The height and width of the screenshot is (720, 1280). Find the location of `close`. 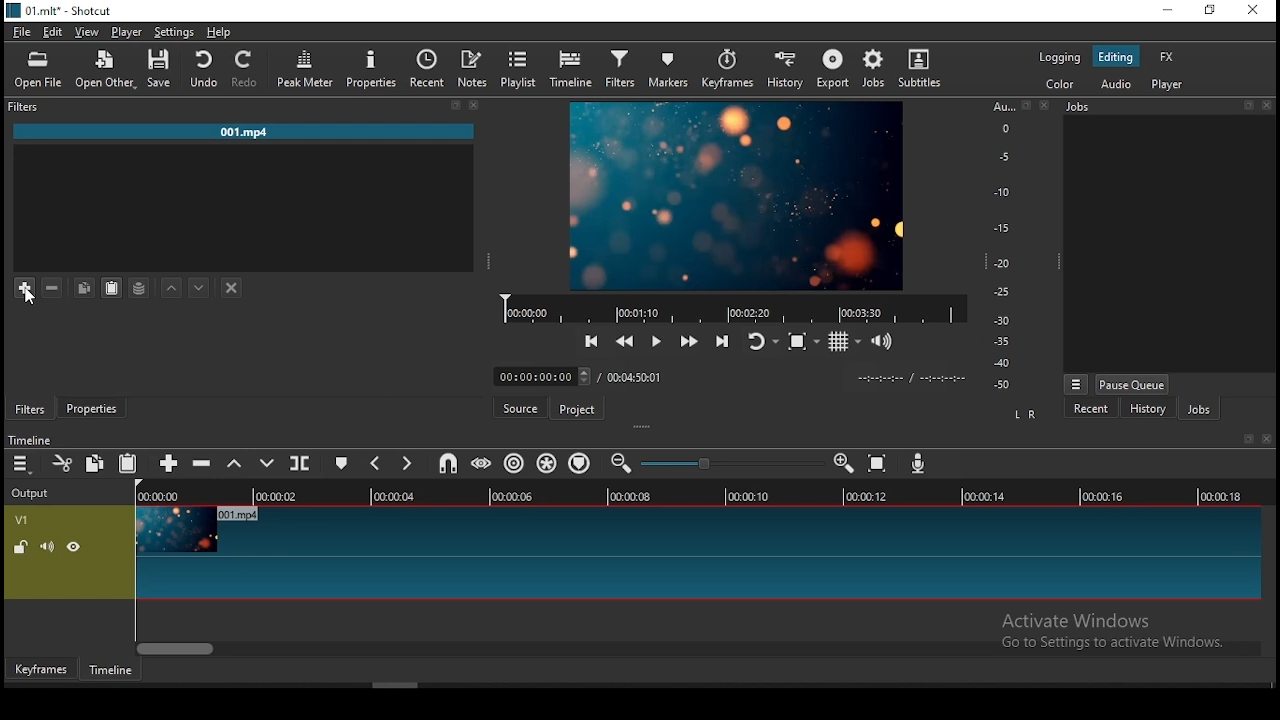

close is located at coordinates (1267, 439).